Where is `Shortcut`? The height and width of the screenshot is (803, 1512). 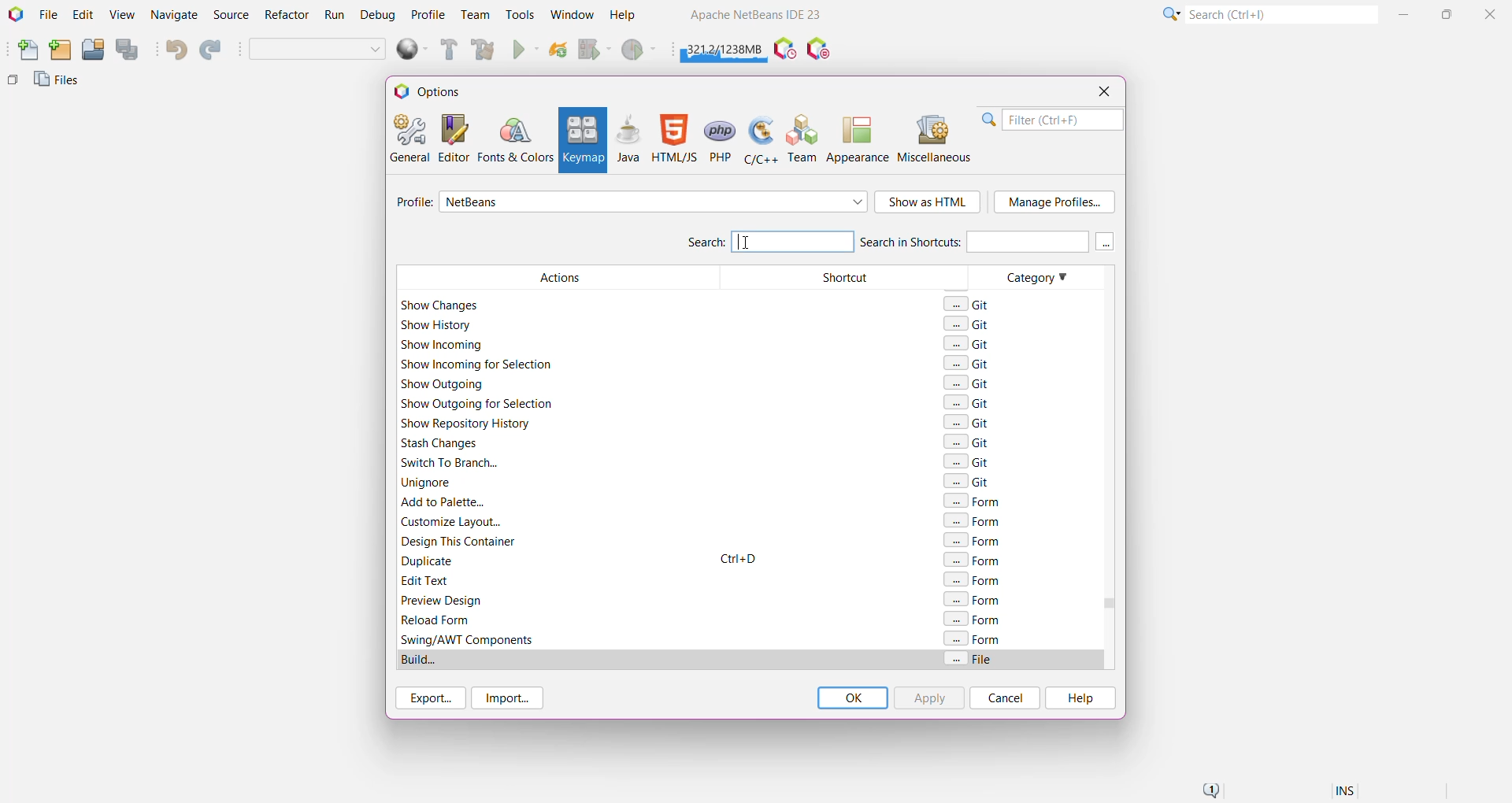 Shortcut is located at coordinates (842, 467).